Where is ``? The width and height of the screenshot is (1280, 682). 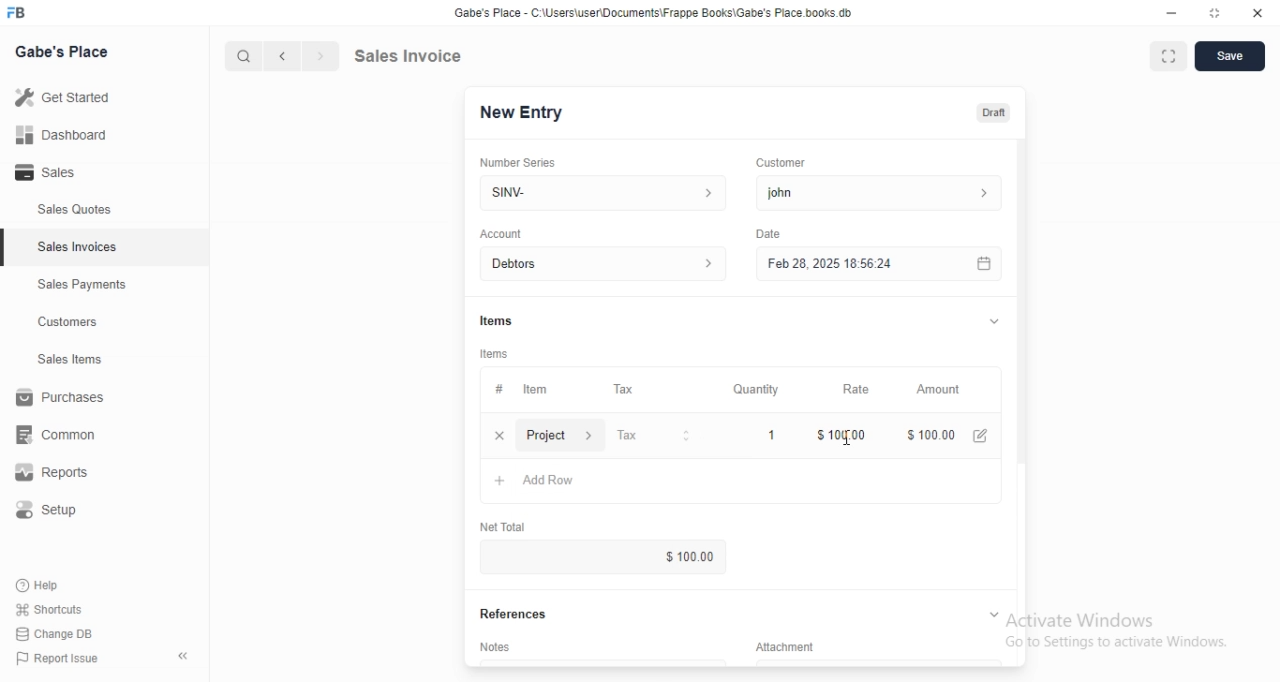
 is located at coordinates (796, 646).